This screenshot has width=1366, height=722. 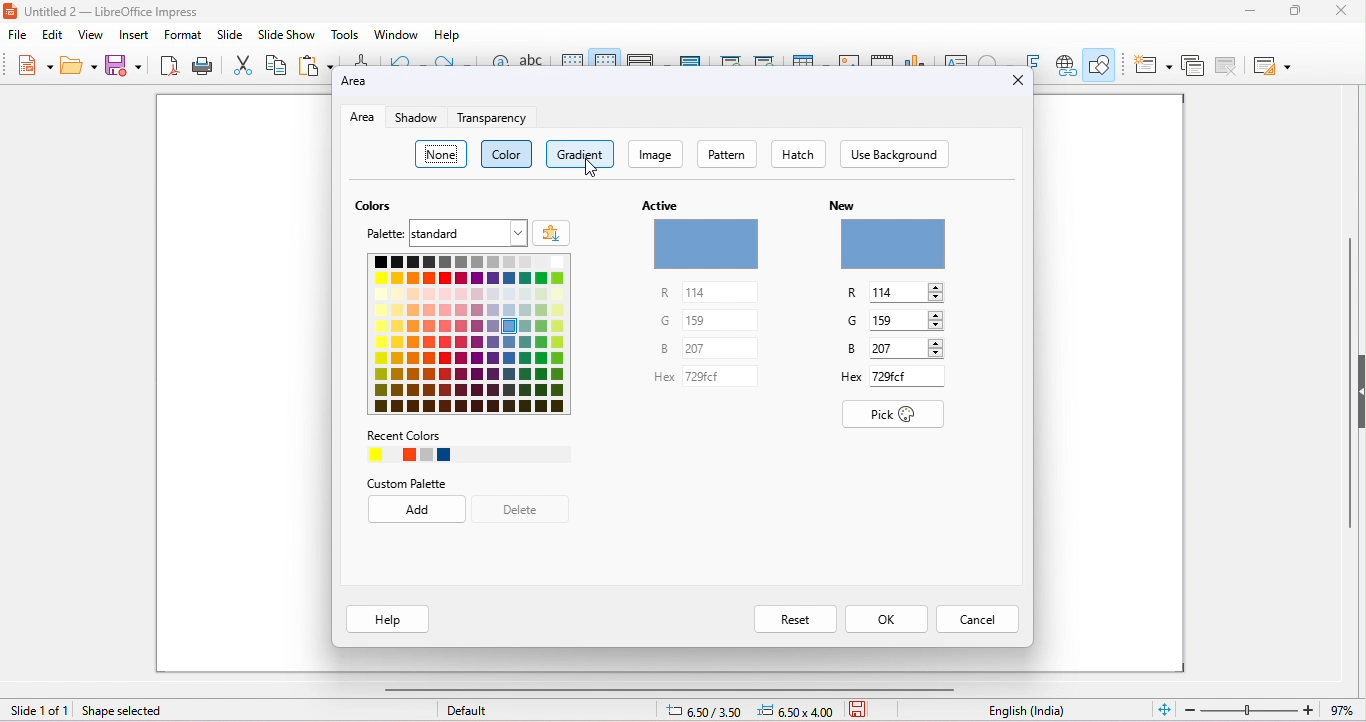 What do you see at coordinates (706, 244) in the screenshot?
I see `Rectangular object` at bounding box center [706, 244].